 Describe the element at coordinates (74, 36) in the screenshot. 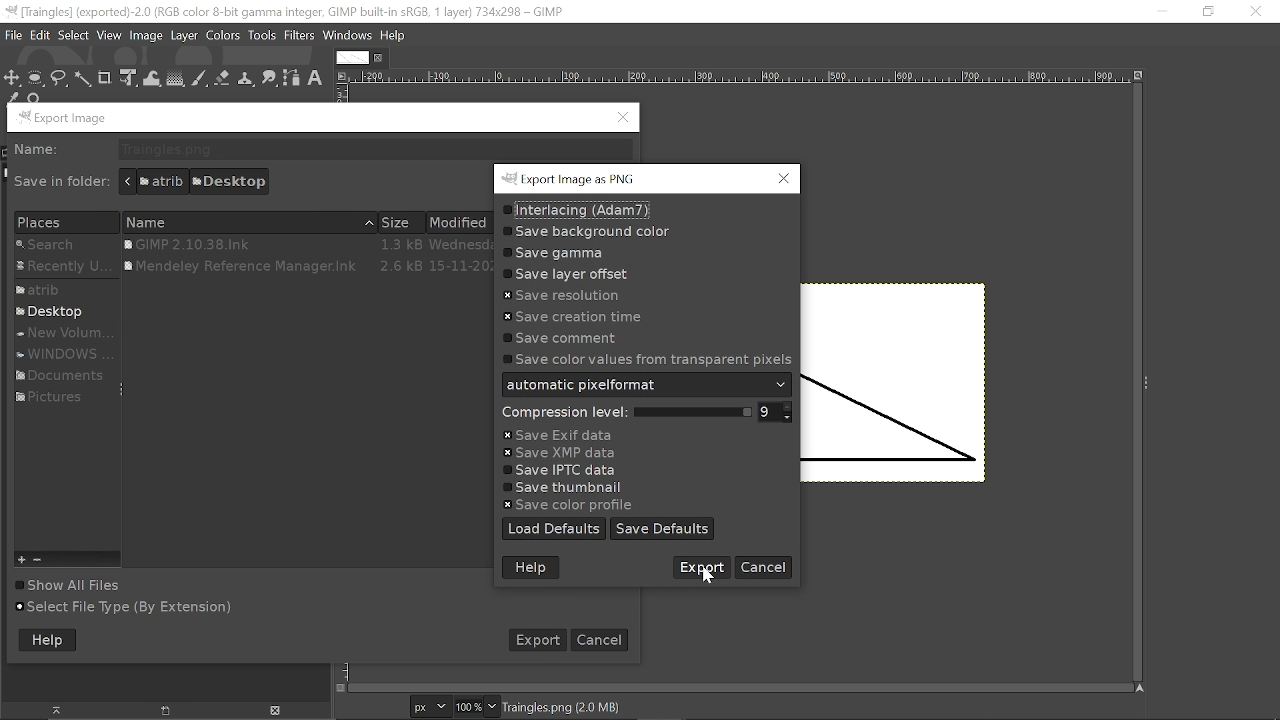

I see `Select` at that location.